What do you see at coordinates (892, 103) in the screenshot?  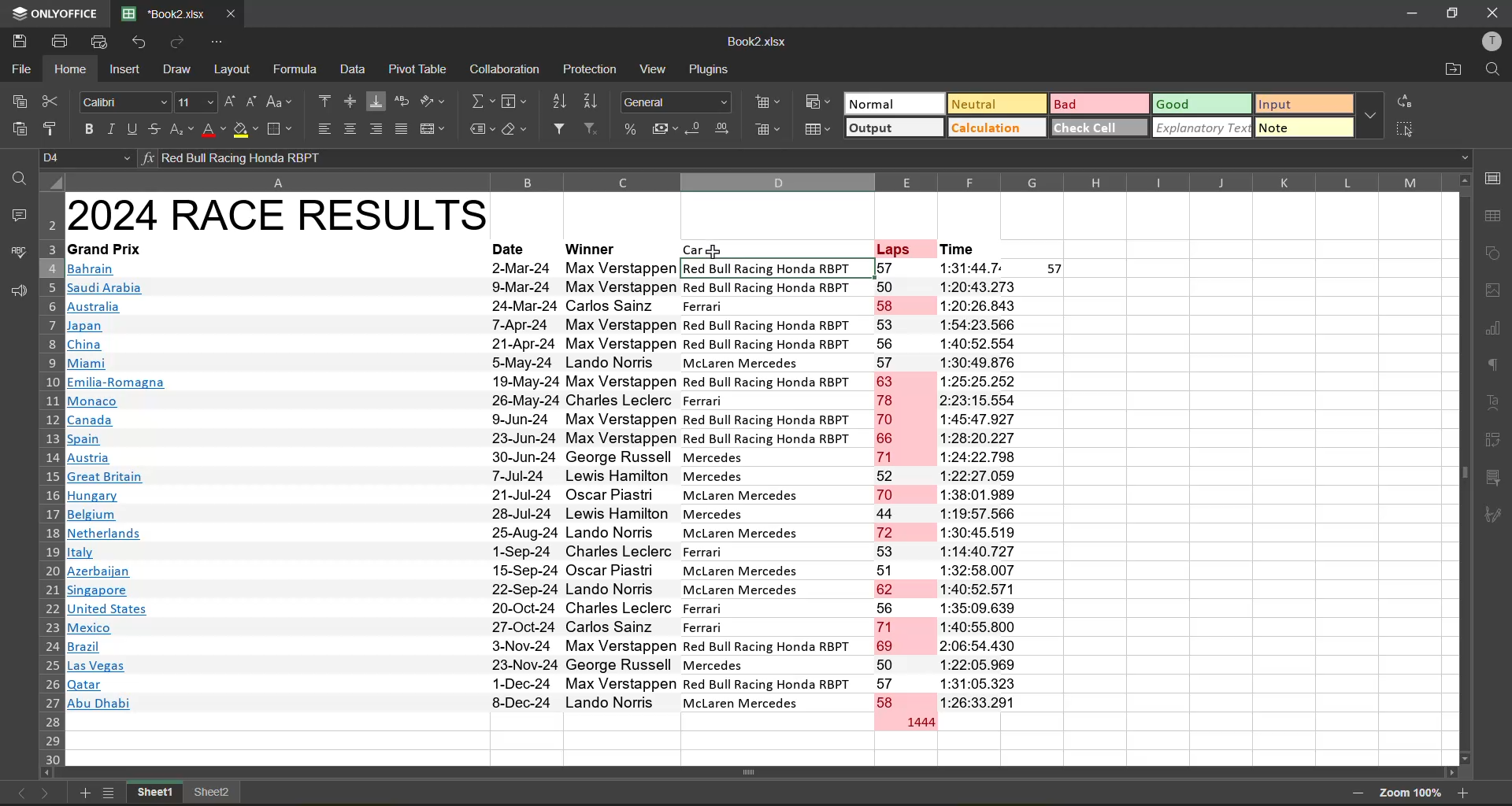 I see `normal` at bounding box center [892, 103].